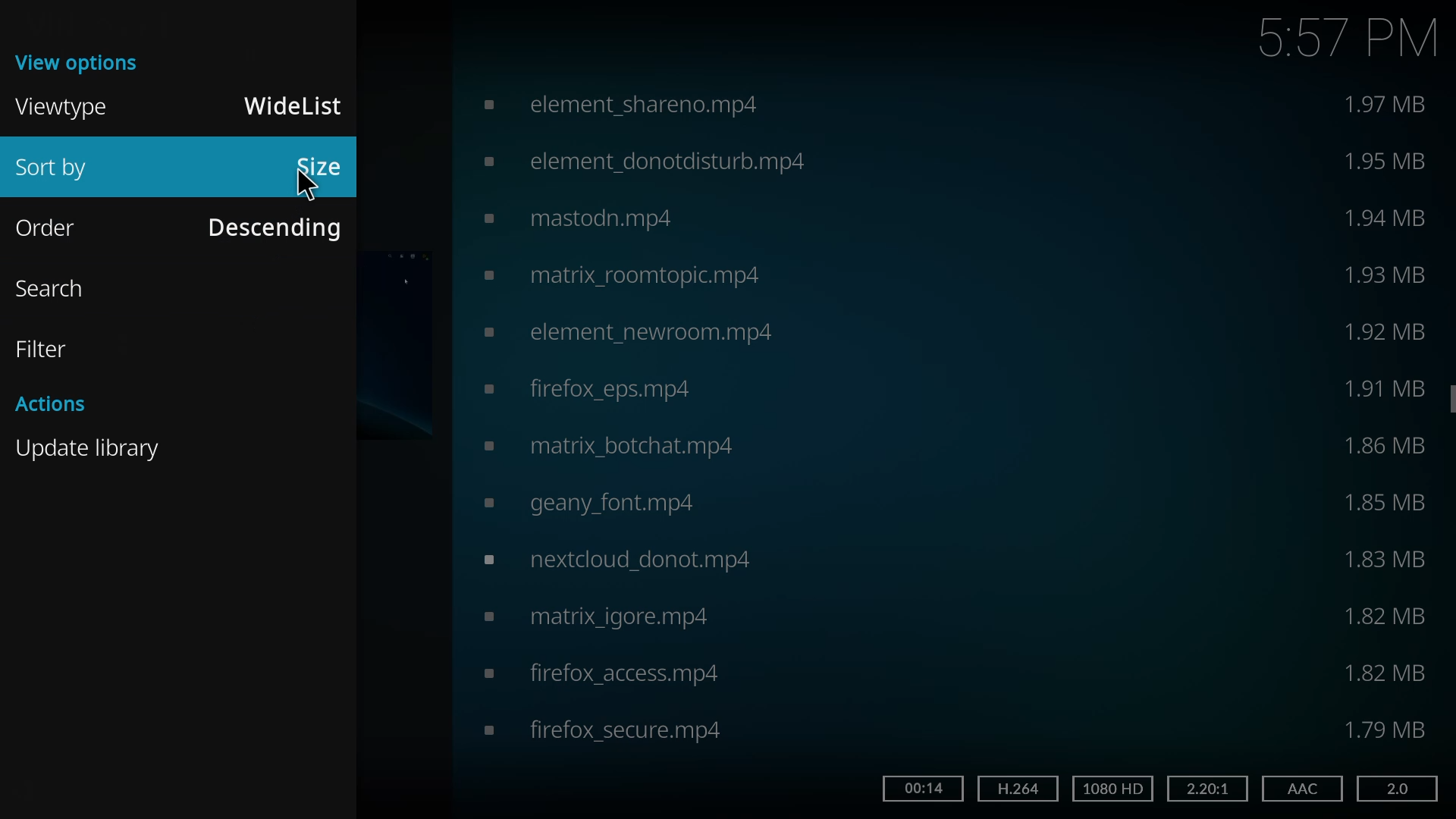 Image resolution: width=1456 pixels, height=819 pixels. I want to click on video, so click(591, 389).